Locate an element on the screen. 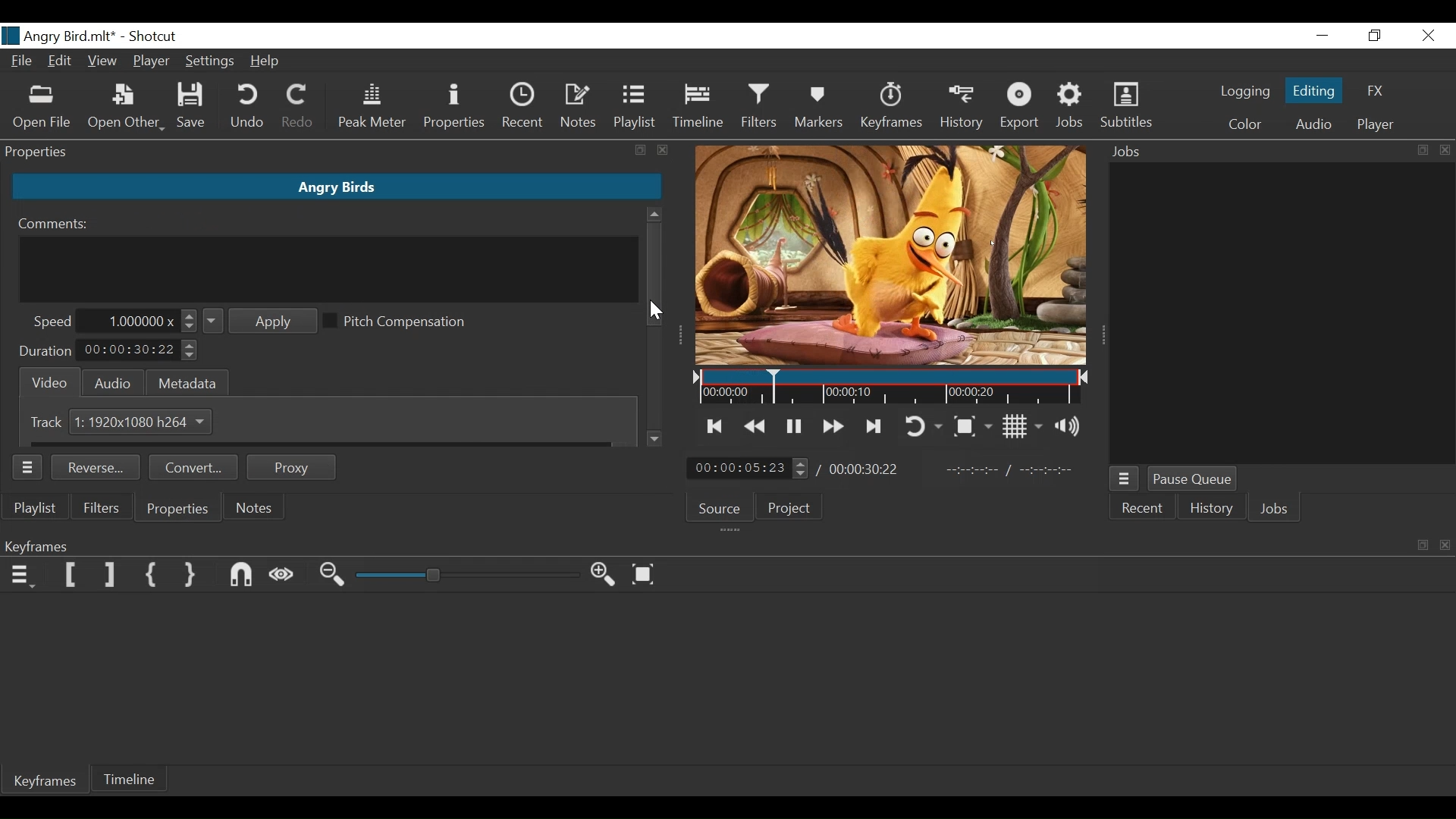  cursor is located at coordinates (656, 311).